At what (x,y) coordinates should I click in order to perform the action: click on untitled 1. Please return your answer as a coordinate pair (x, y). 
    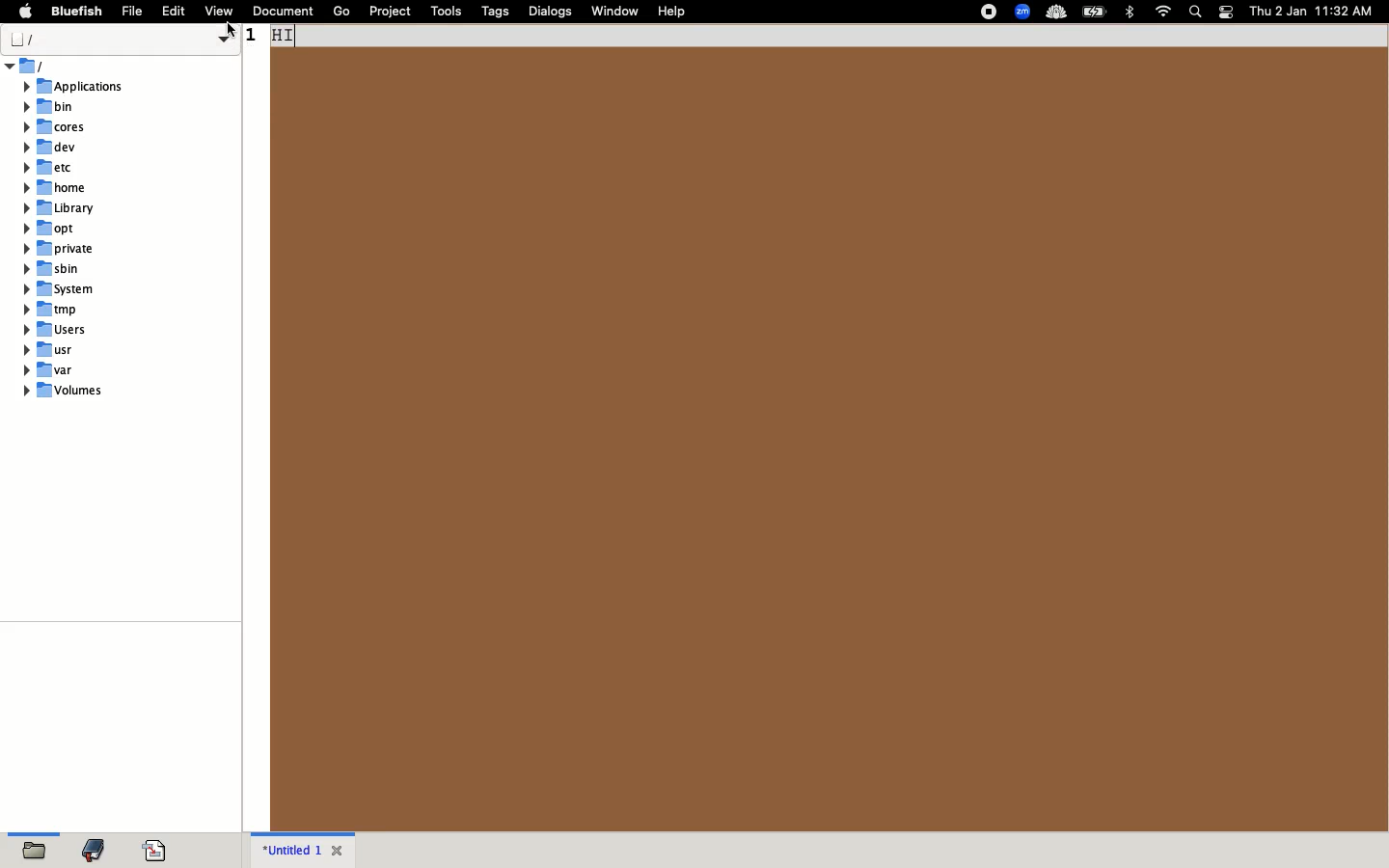
    Looking at the image, I should click on (290, 849).